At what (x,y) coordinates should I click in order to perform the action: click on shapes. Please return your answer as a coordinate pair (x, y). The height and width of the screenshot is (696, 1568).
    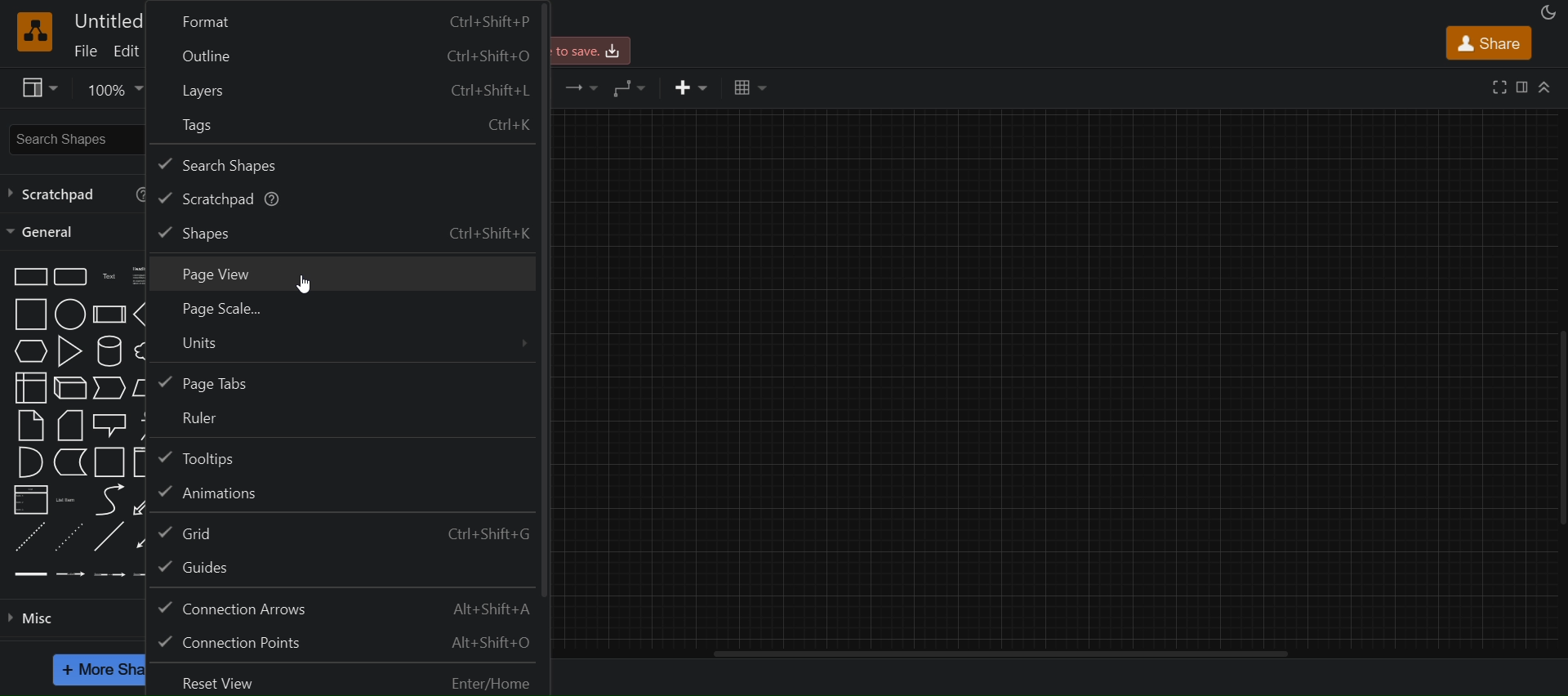
    Looking at the image, I should click on (348, 230).